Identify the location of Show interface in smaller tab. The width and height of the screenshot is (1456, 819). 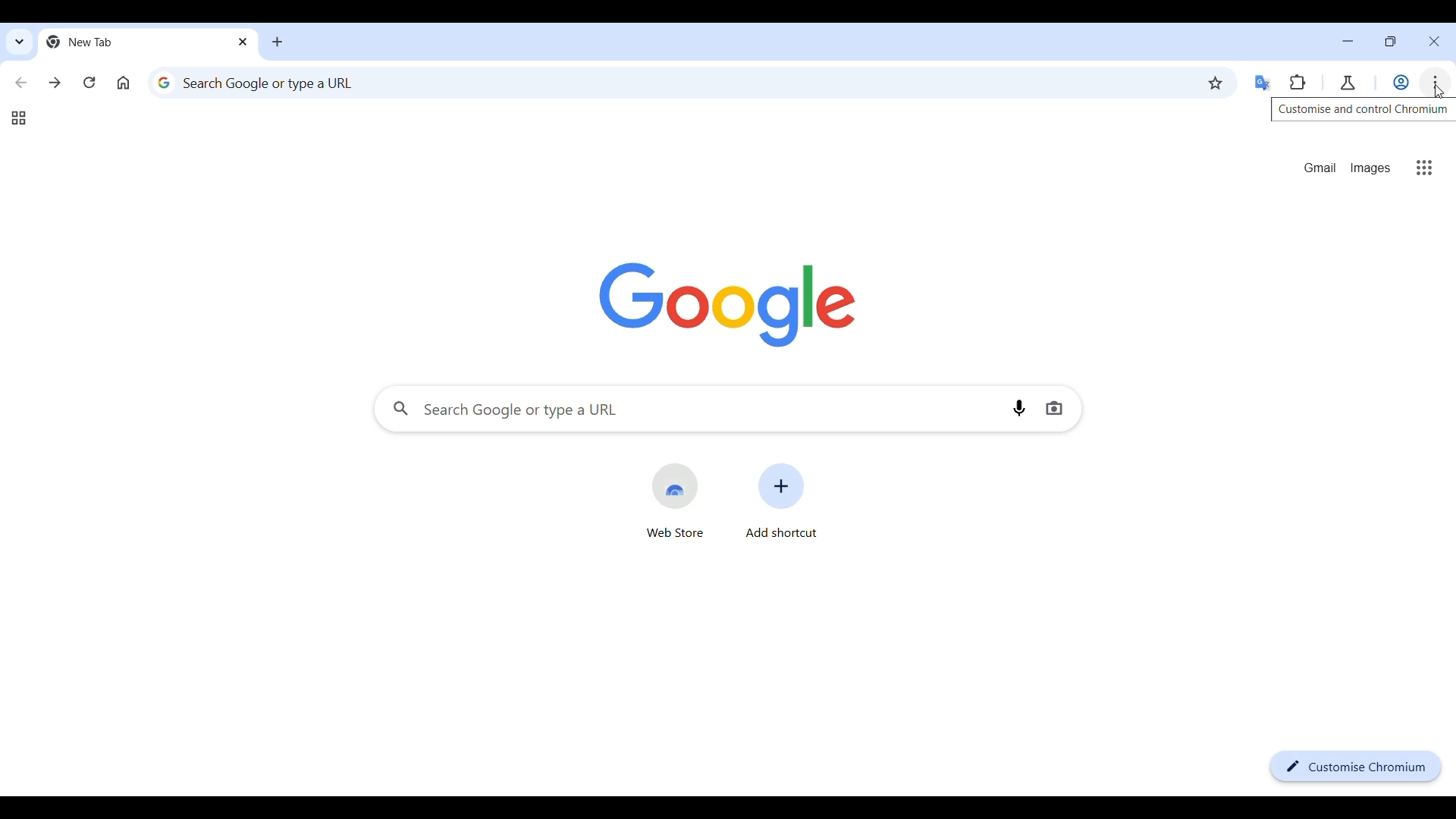
(1390, 41).